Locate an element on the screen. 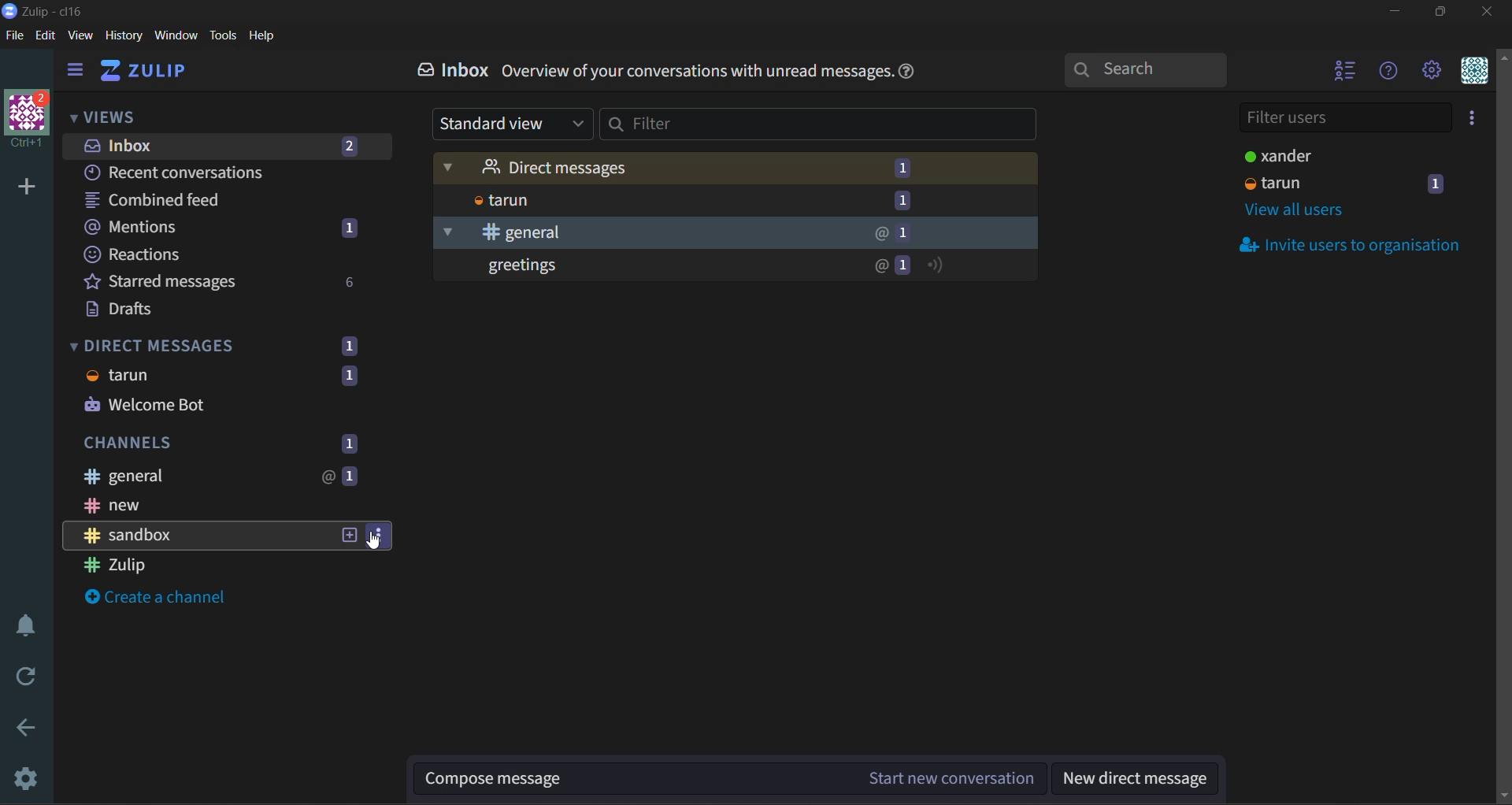 The image size is (1512, 805). compose message is located at coordinates (735, 777).